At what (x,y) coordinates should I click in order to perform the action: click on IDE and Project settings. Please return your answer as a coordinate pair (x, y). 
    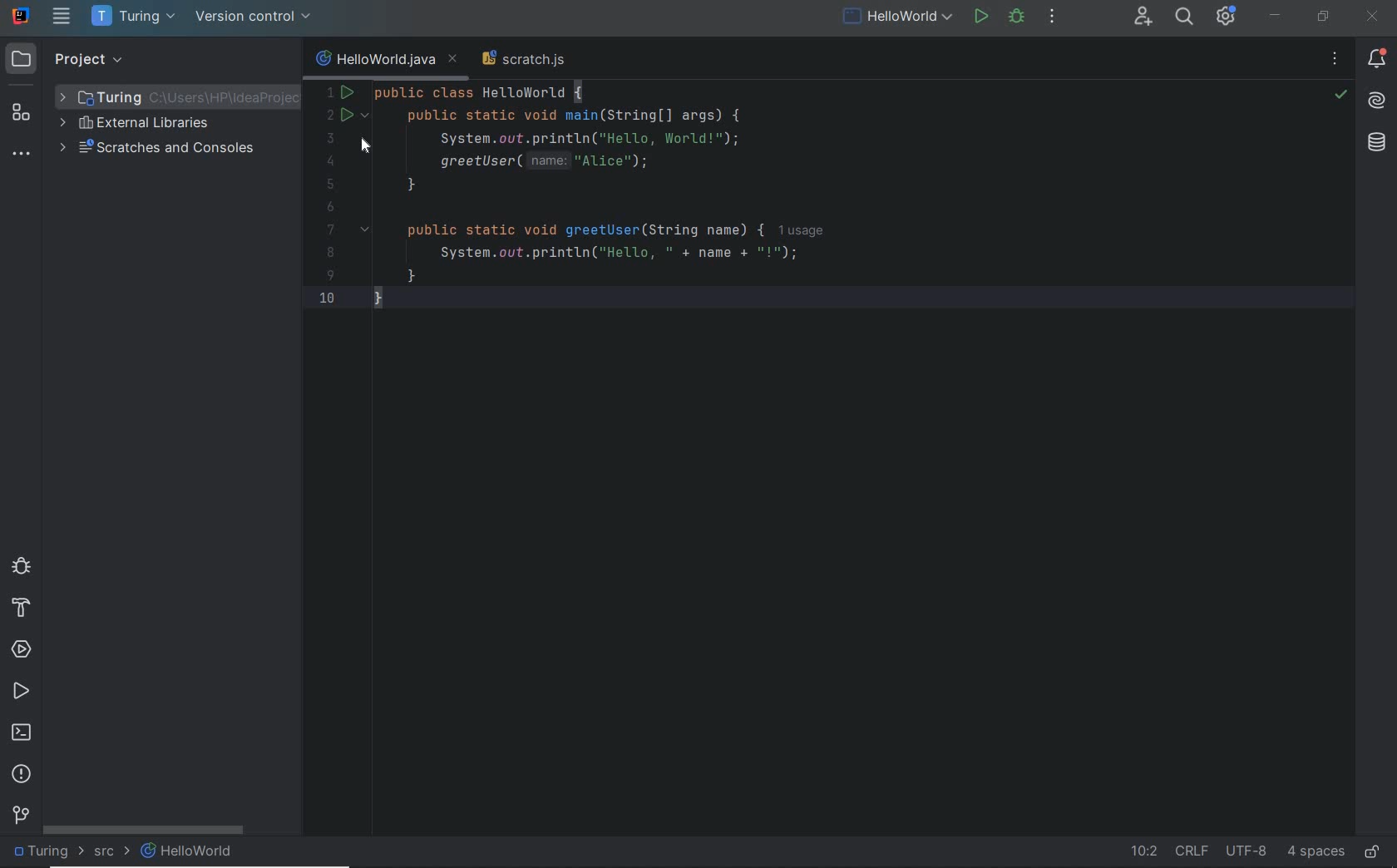
    Looking at the image, I should click on (1226, 17).